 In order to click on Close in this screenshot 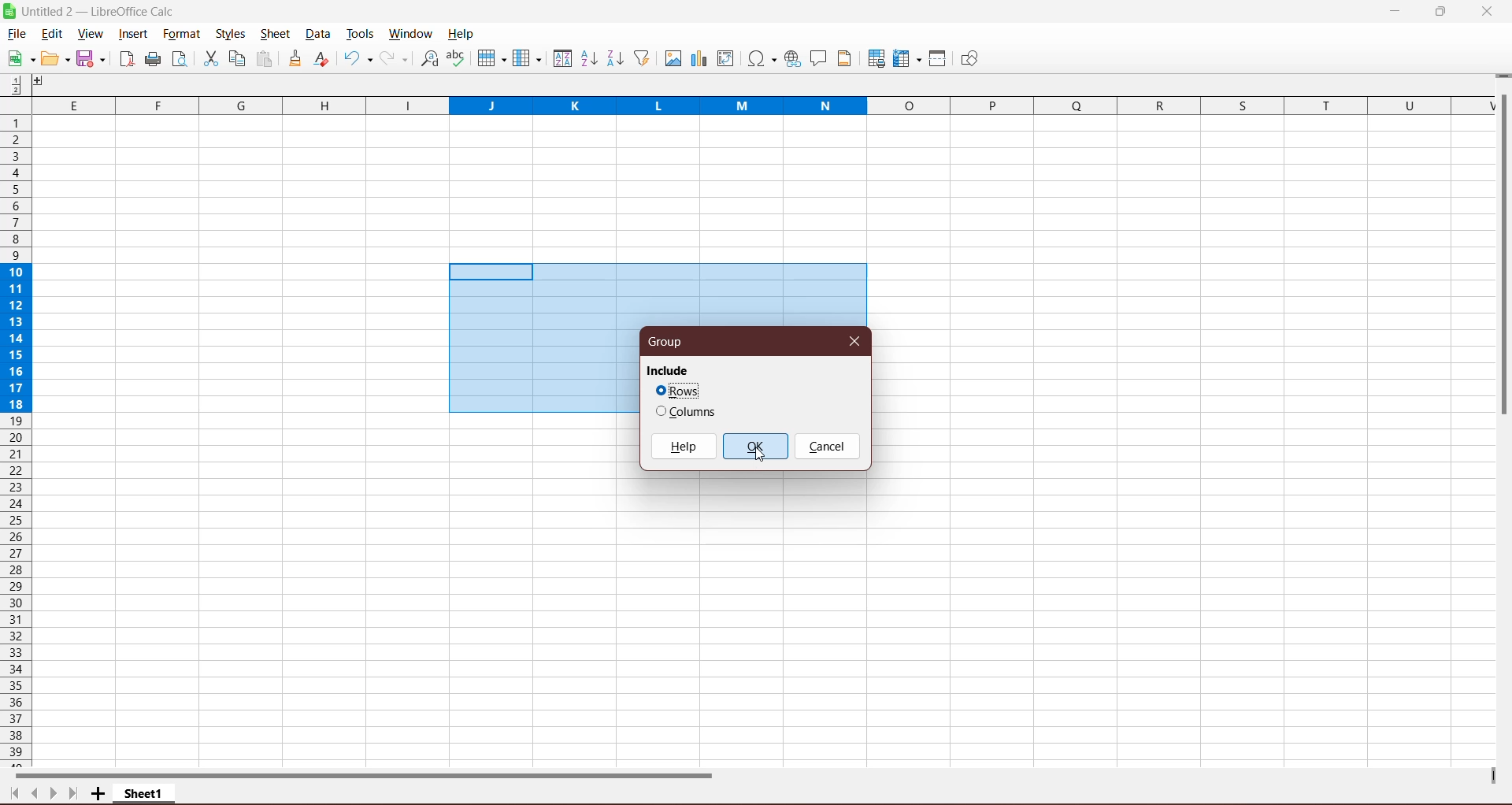, I will do `click(854, 342)`.